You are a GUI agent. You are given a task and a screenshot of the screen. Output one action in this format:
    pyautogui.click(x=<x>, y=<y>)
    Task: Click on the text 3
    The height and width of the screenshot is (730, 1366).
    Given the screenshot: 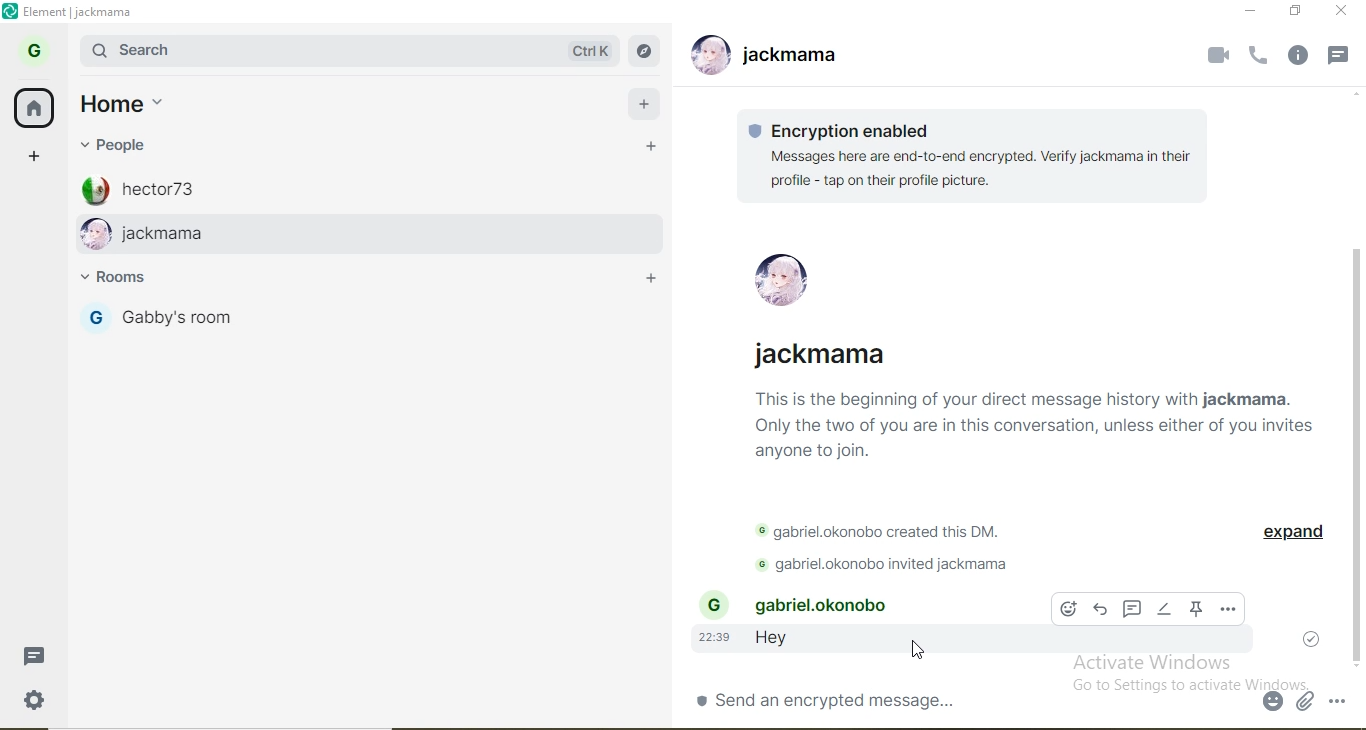 What is the action you would take?
    pyautogui.click(x=891, y=528)
    